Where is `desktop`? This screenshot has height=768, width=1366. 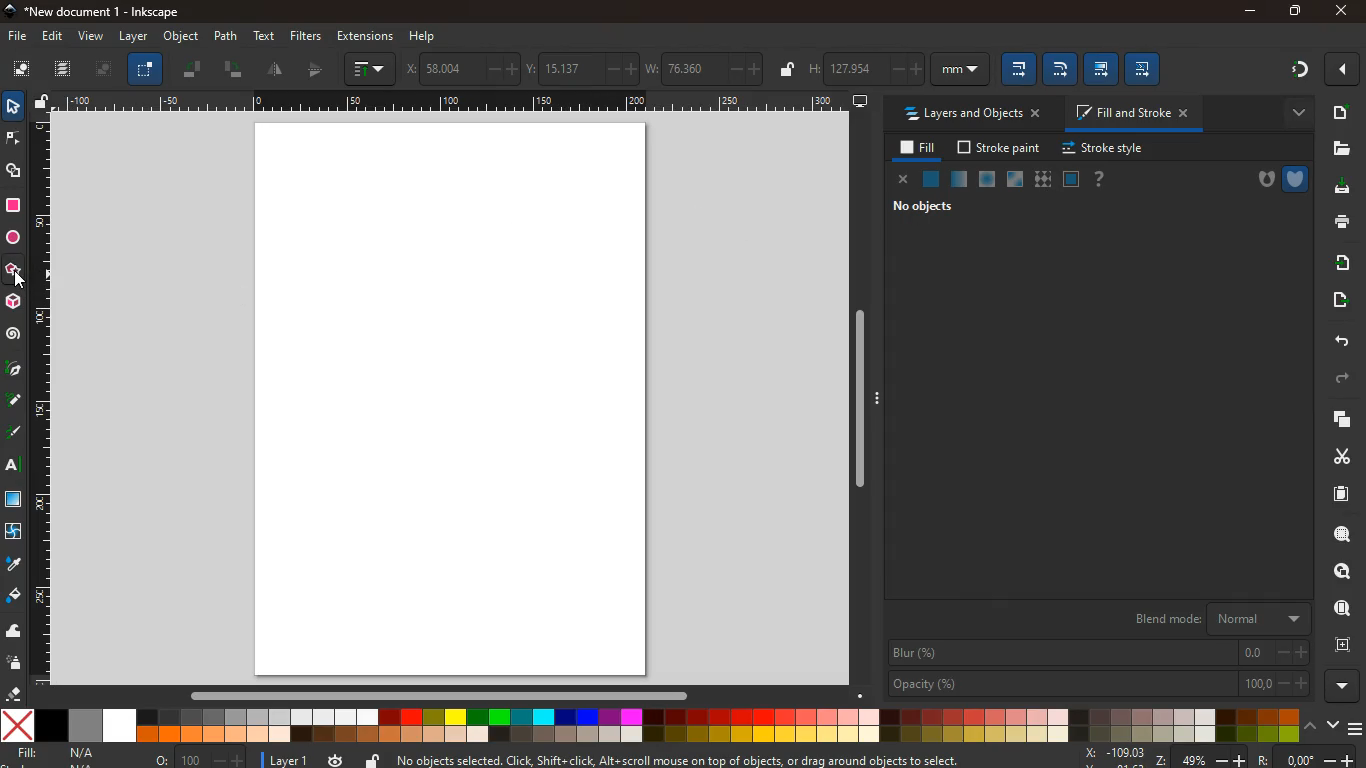 desktop is located at coordinates (861, 101).